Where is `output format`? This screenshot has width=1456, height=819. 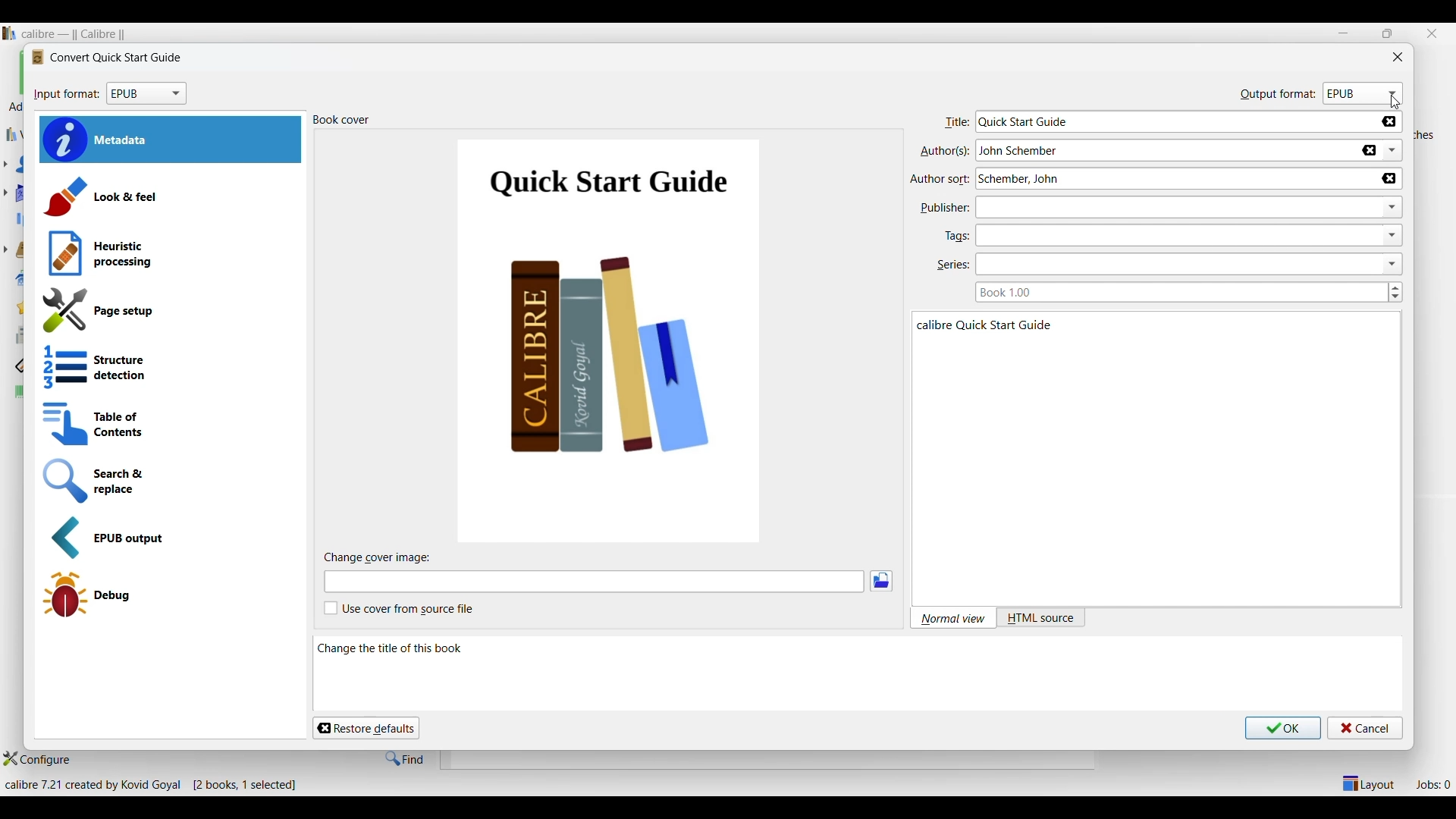
output format is located at coordinates (1277, 93).